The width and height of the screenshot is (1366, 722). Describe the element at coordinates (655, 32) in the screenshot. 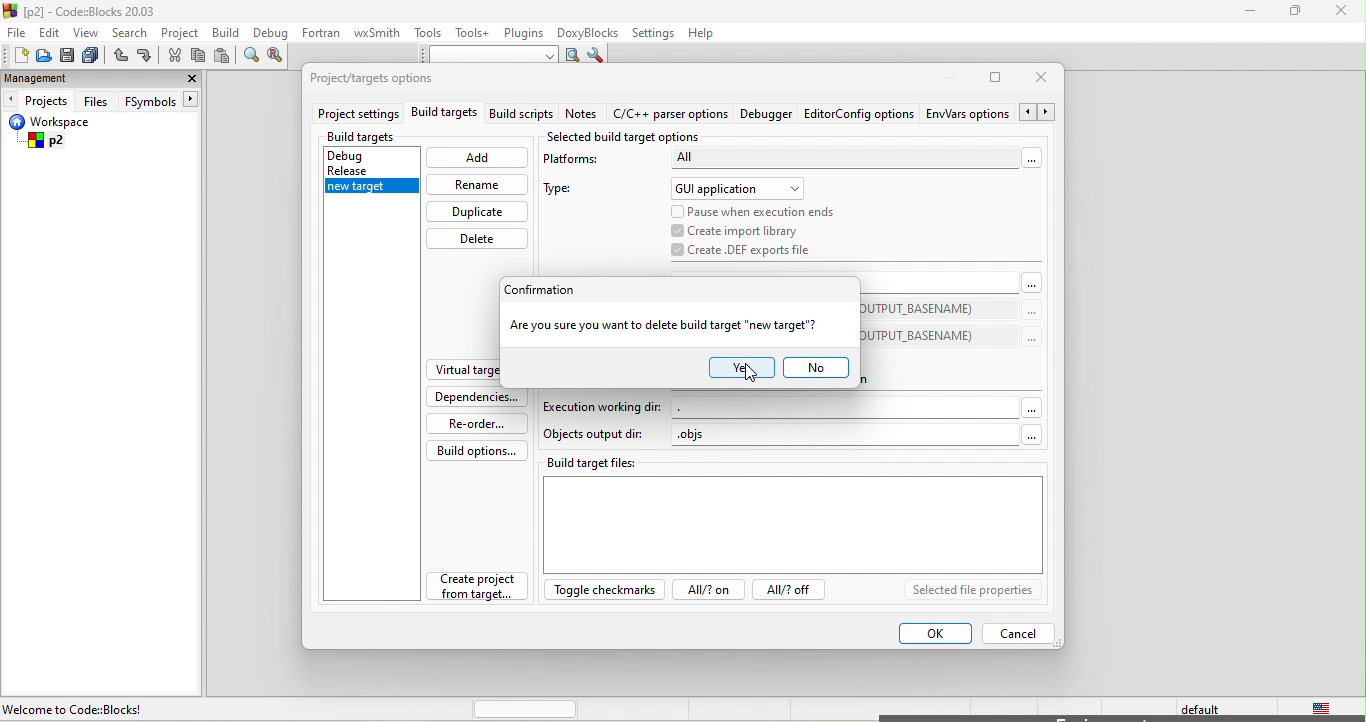

I see `settings` at that location.